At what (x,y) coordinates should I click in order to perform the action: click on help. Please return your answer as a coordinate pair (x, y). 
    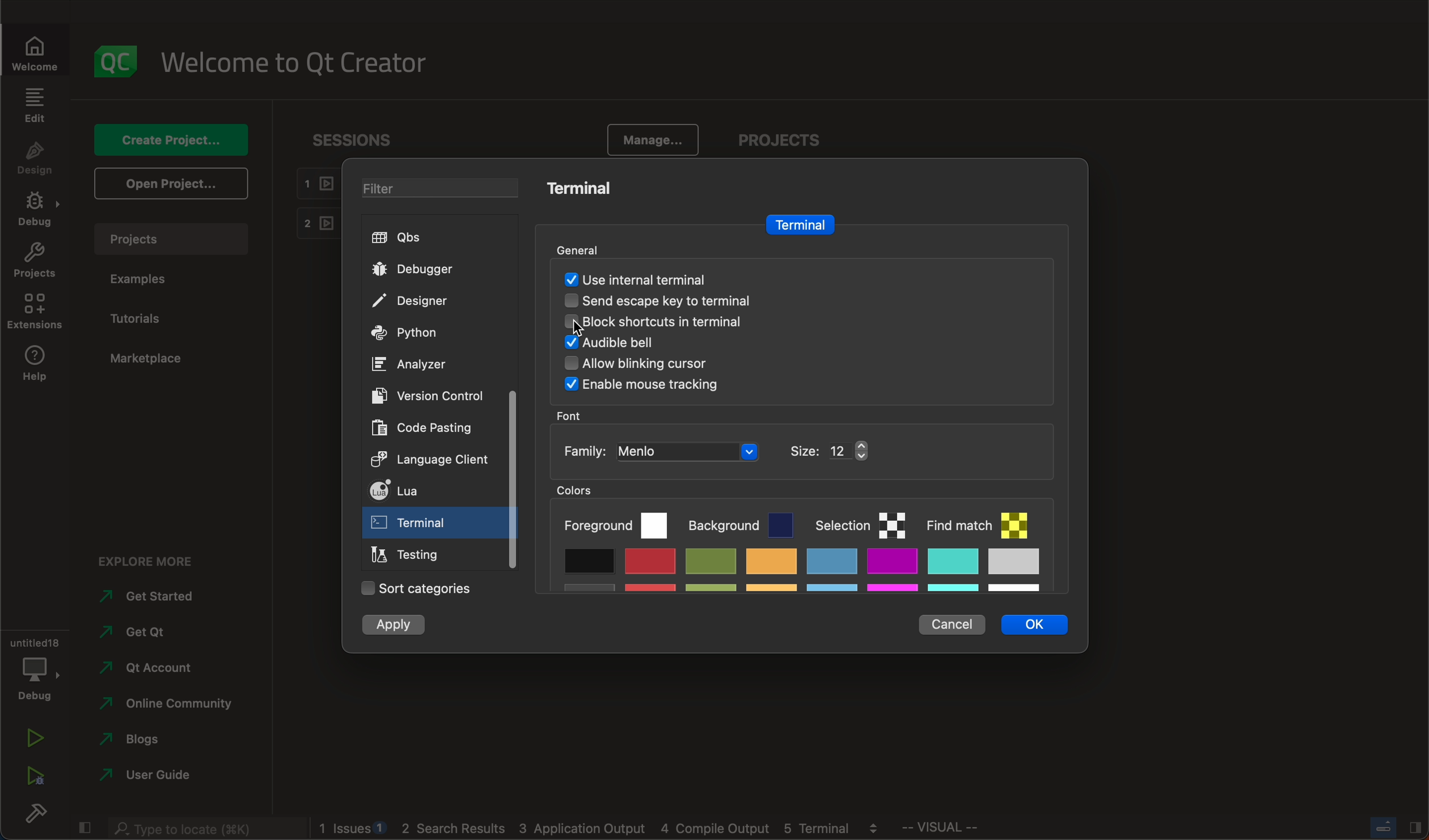
    Looking at the image, I should click on (35, 365).